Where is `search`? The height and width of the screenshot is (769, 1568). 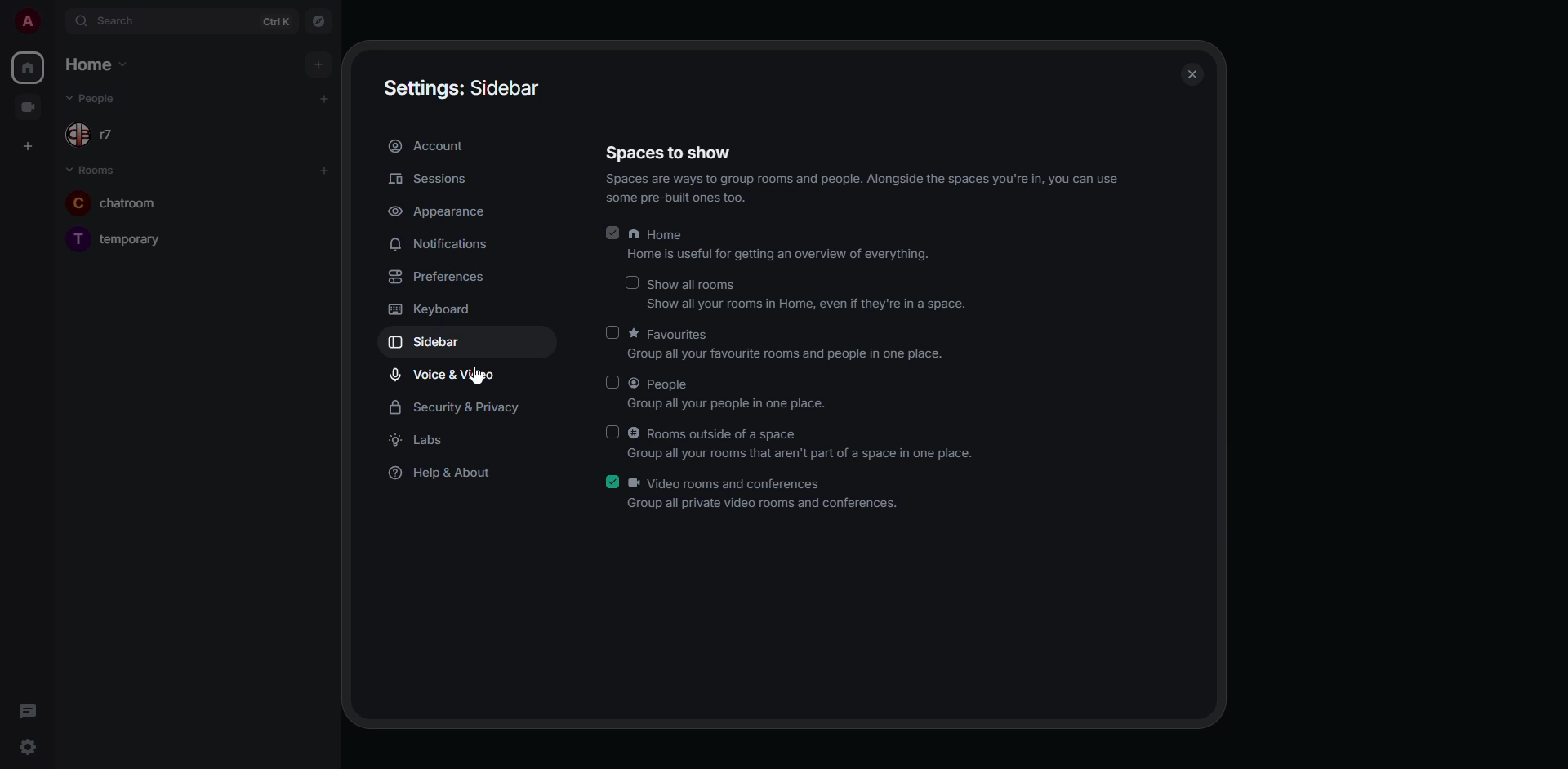
search is located at coordinates (120, 21).